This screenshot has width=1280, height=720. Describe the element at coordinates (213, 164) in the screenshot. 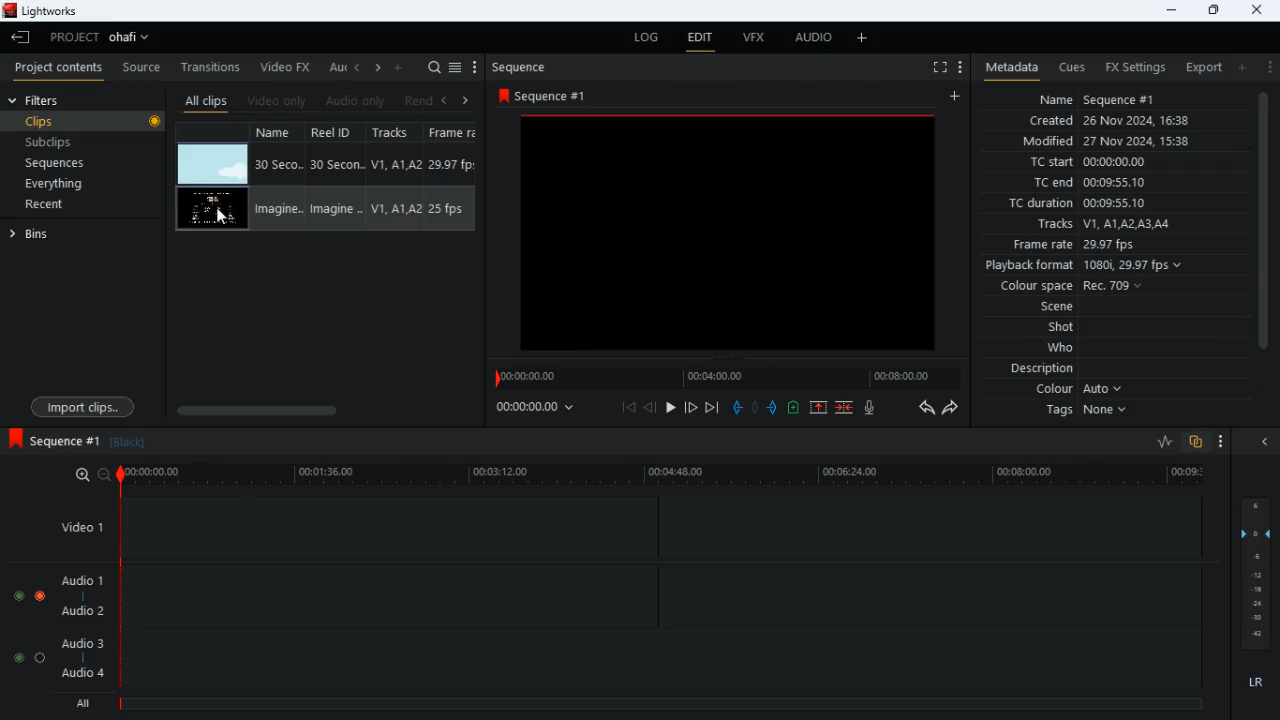

I see `videos` at that location.